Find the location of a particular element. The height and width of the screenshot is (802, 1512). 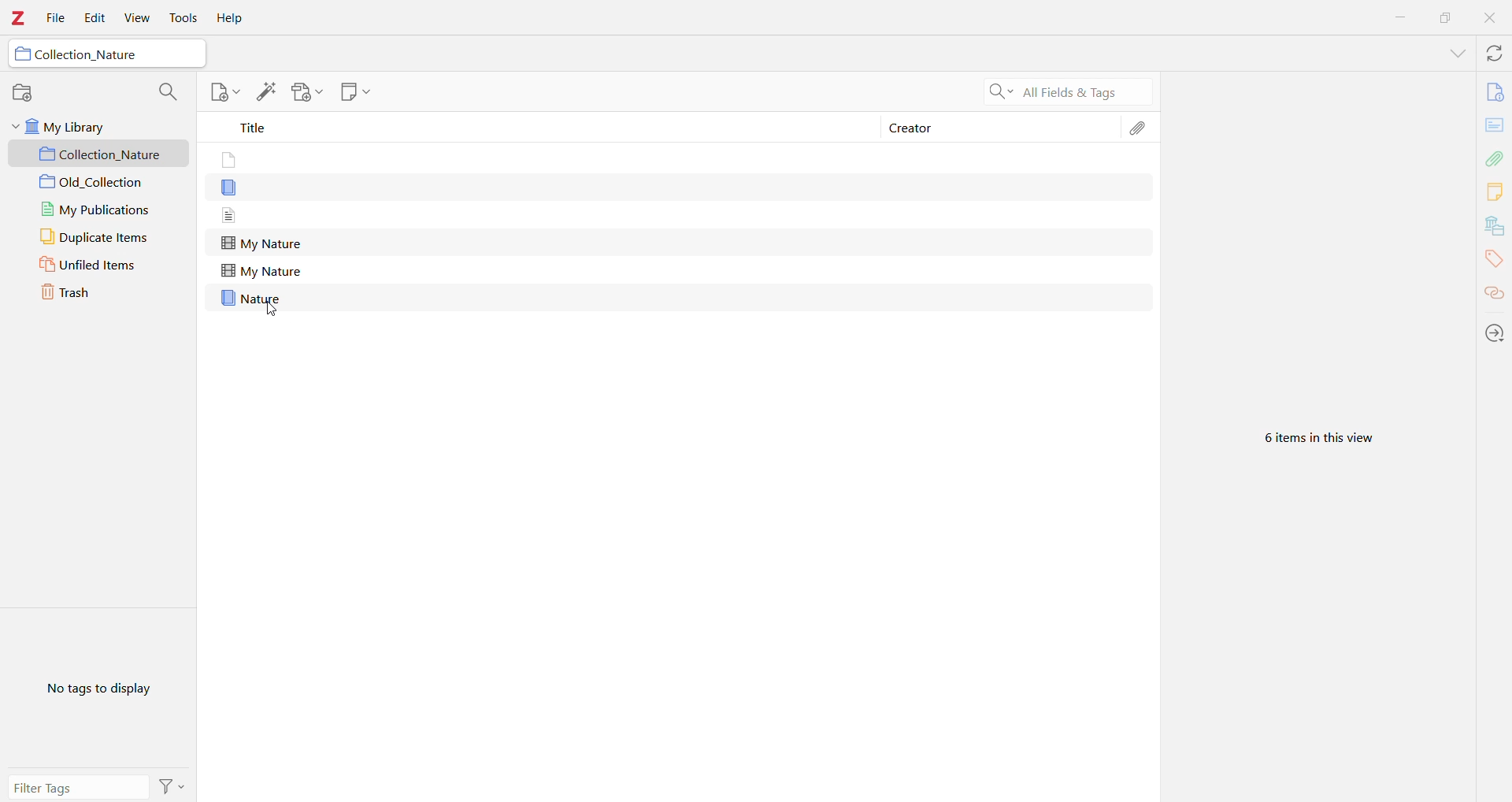

Unfiled Items is located at coordinates (98, 265).